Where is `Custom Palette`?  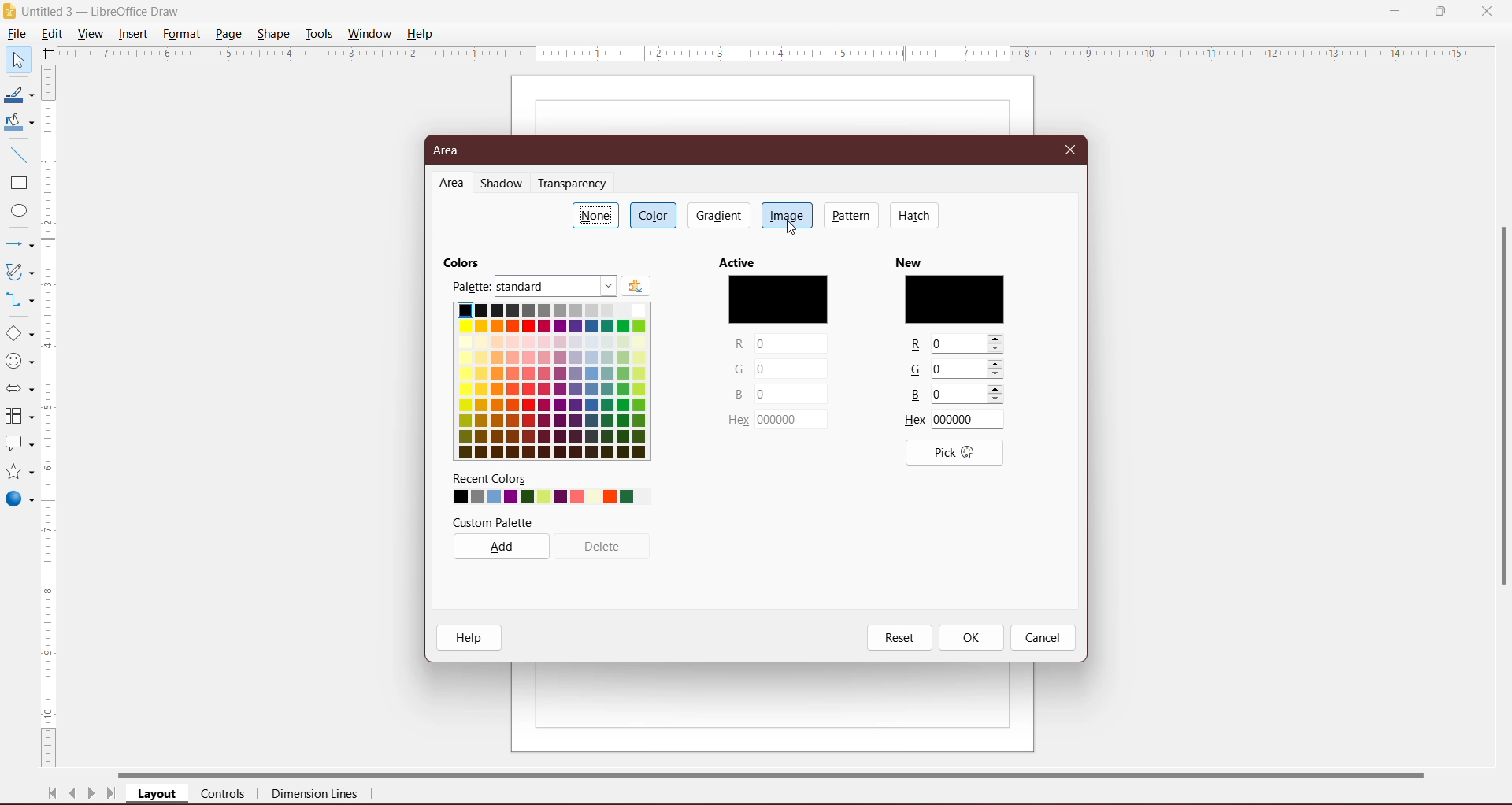 Custom Palette is located at coordinates (547, 521).